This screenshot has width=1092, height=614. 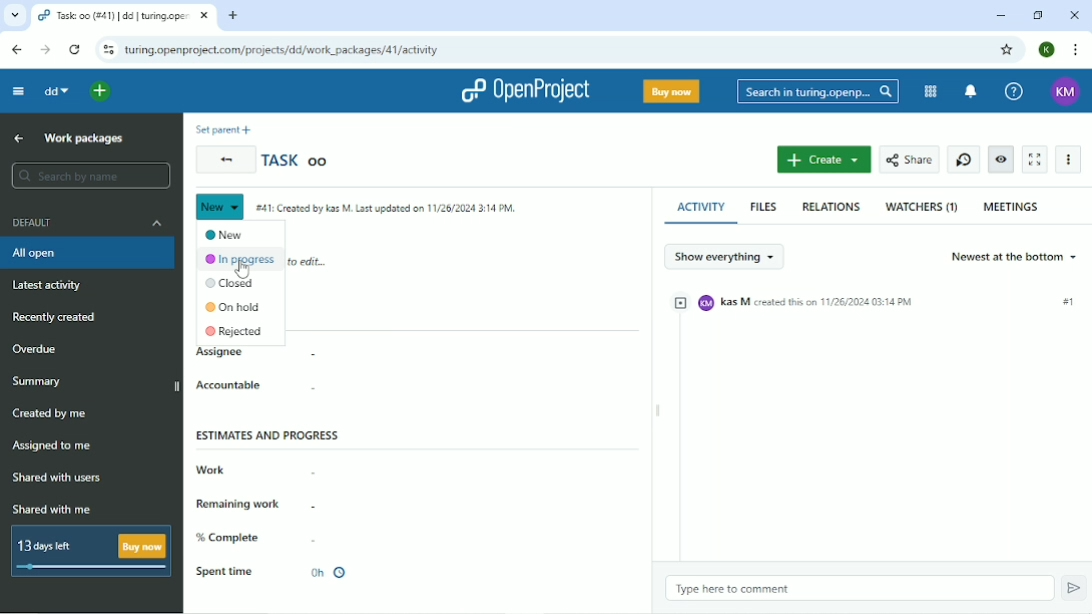 I want to click on Search tabs, so click(x=14, y=17).